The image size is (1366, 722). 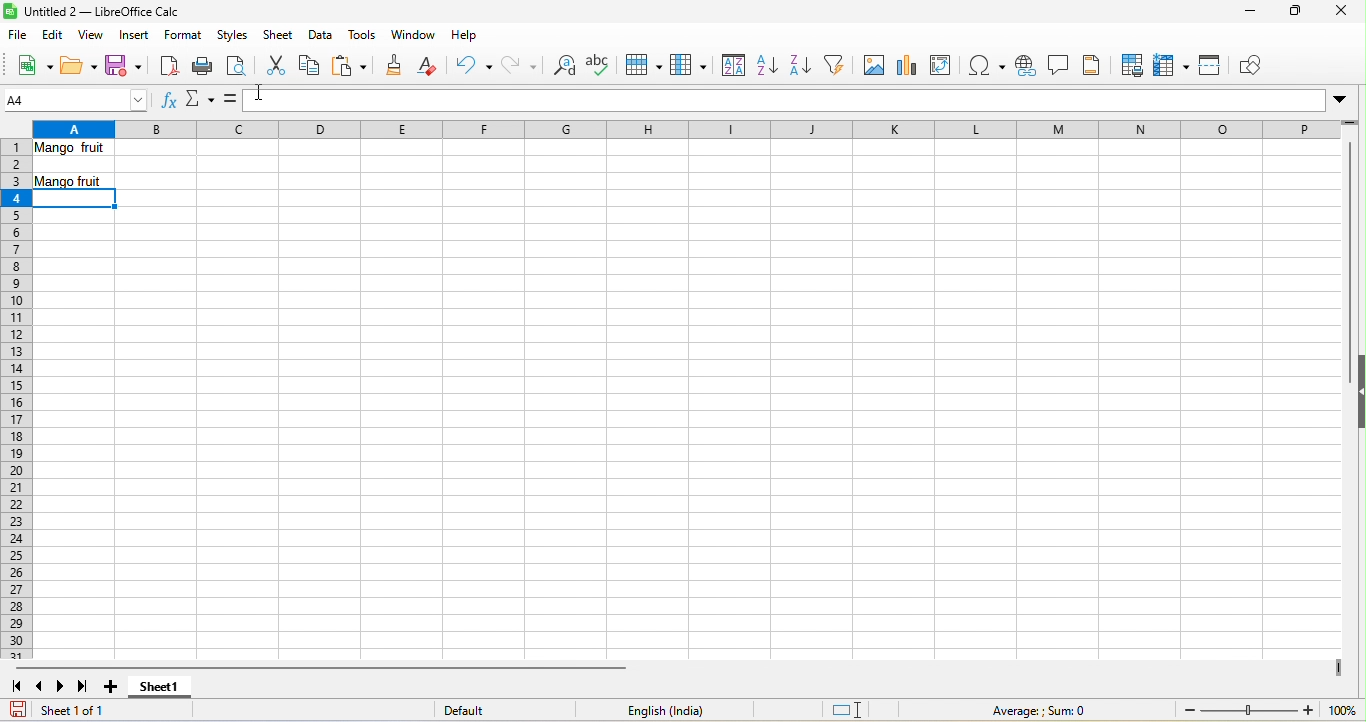 I want to click on cursor movement, so click(x=258, y=91).